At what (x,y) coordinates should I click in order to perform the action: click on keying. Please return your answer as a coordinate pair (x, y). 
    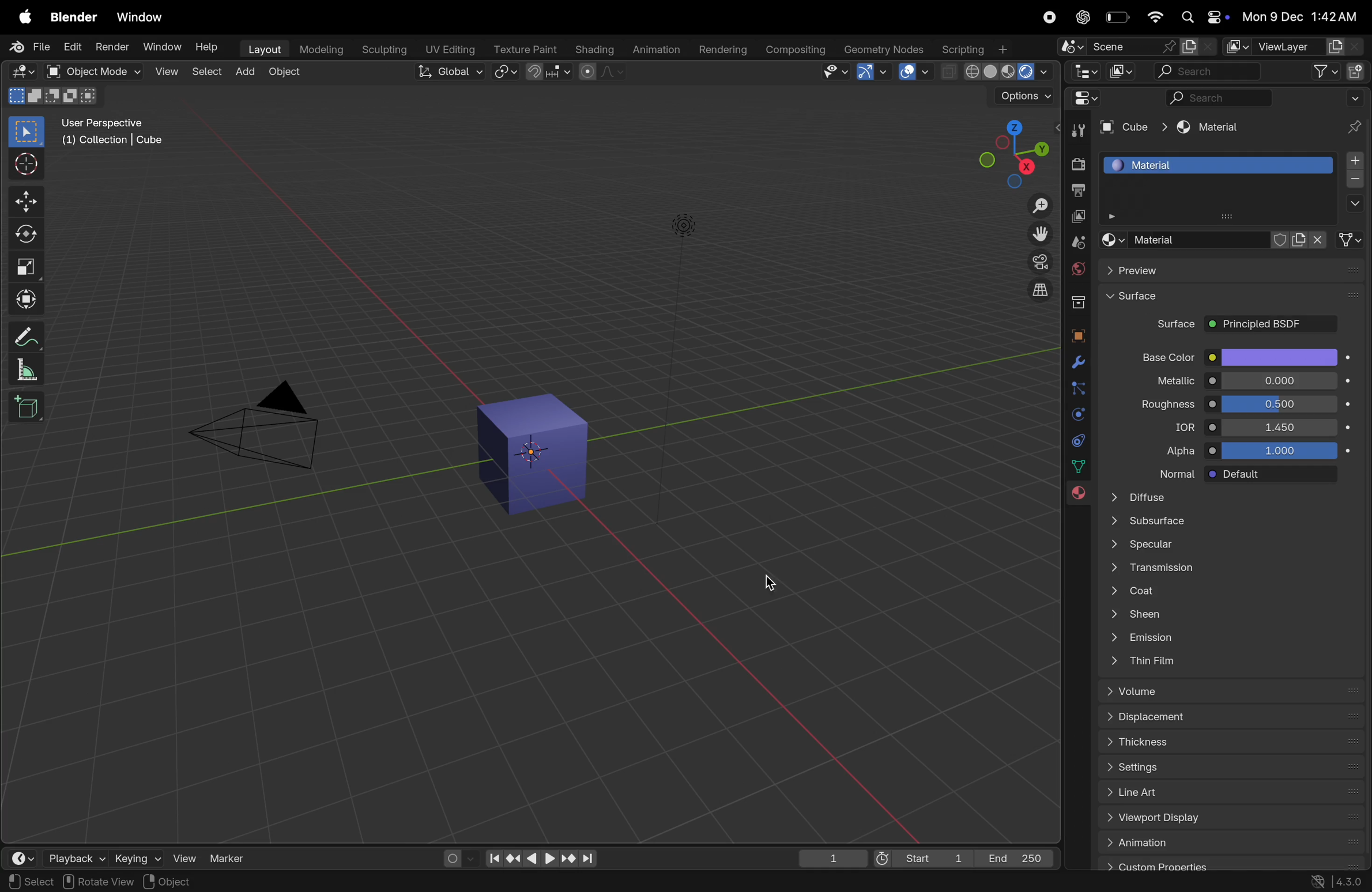
    Looking at the image, I should click on (124, 858).